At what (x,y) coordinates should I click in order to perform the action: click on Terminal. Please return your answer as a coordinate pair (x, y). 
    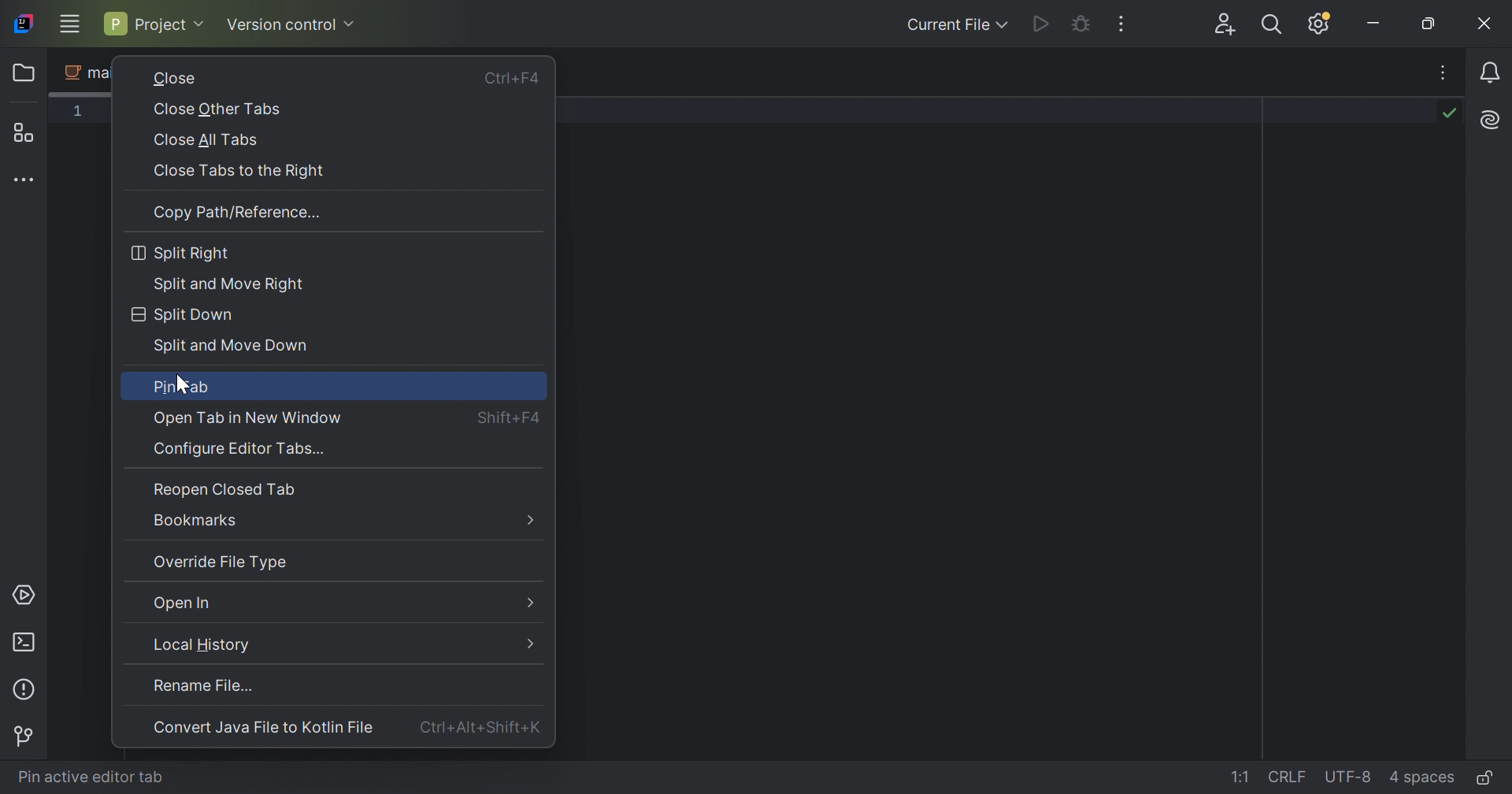
    Looking at the image, I should click on (26, 644).